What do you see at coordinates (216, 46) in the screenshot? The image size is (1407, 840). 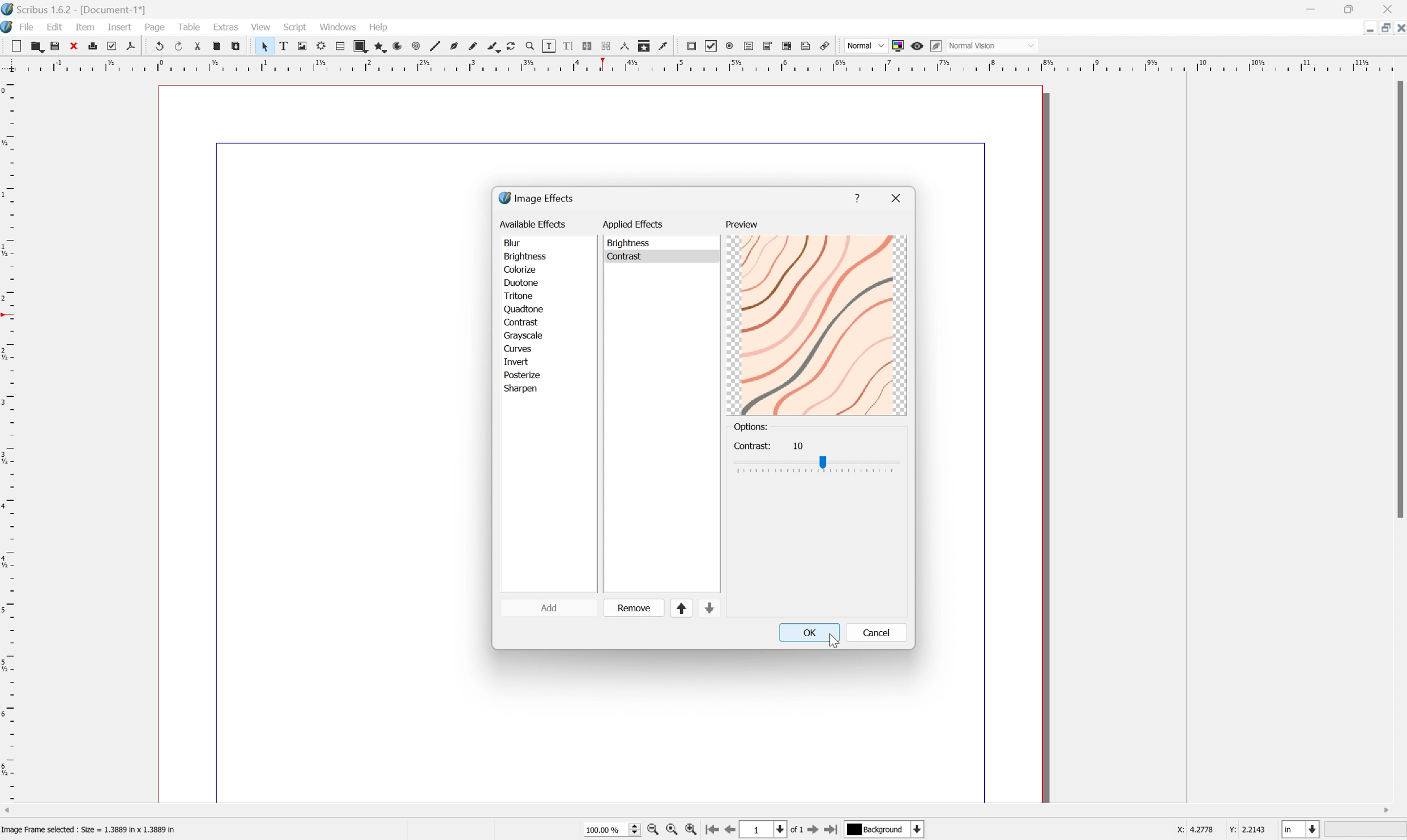 I see `Copy` at bounding box center [216, 46].